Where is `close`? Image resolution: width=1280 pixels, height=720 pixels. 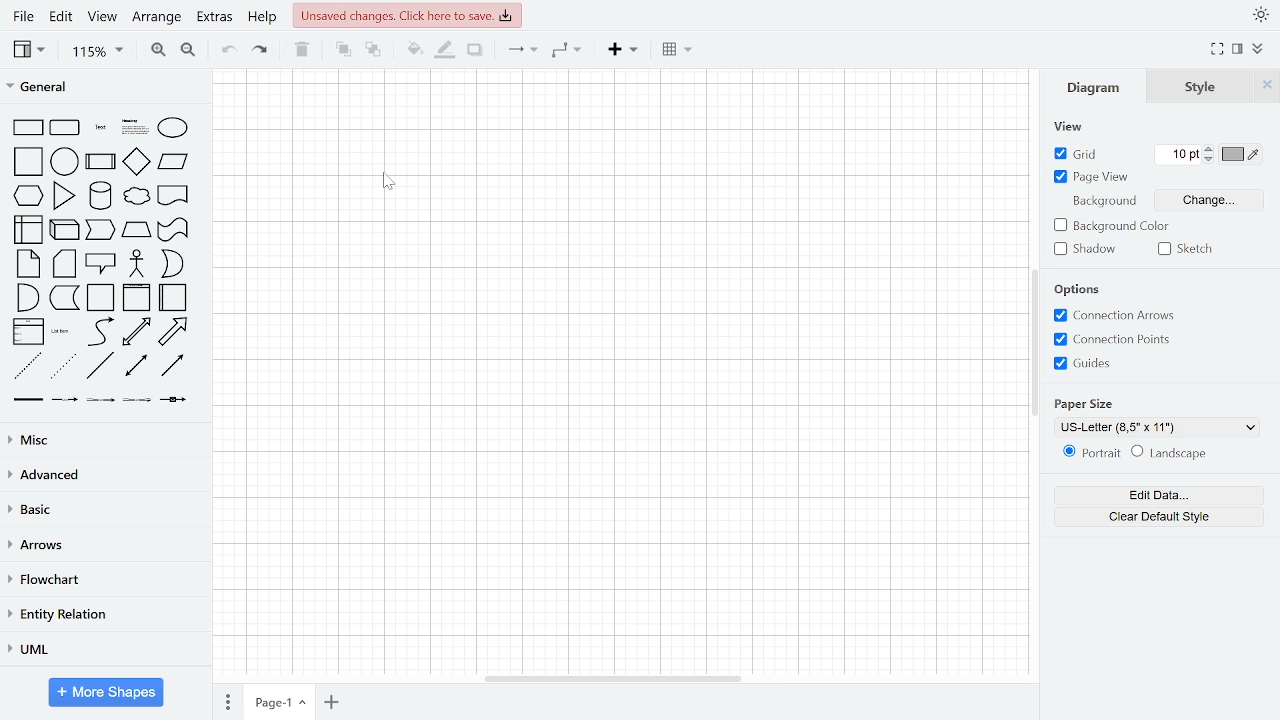 close is located at coordinates (1266, 88).